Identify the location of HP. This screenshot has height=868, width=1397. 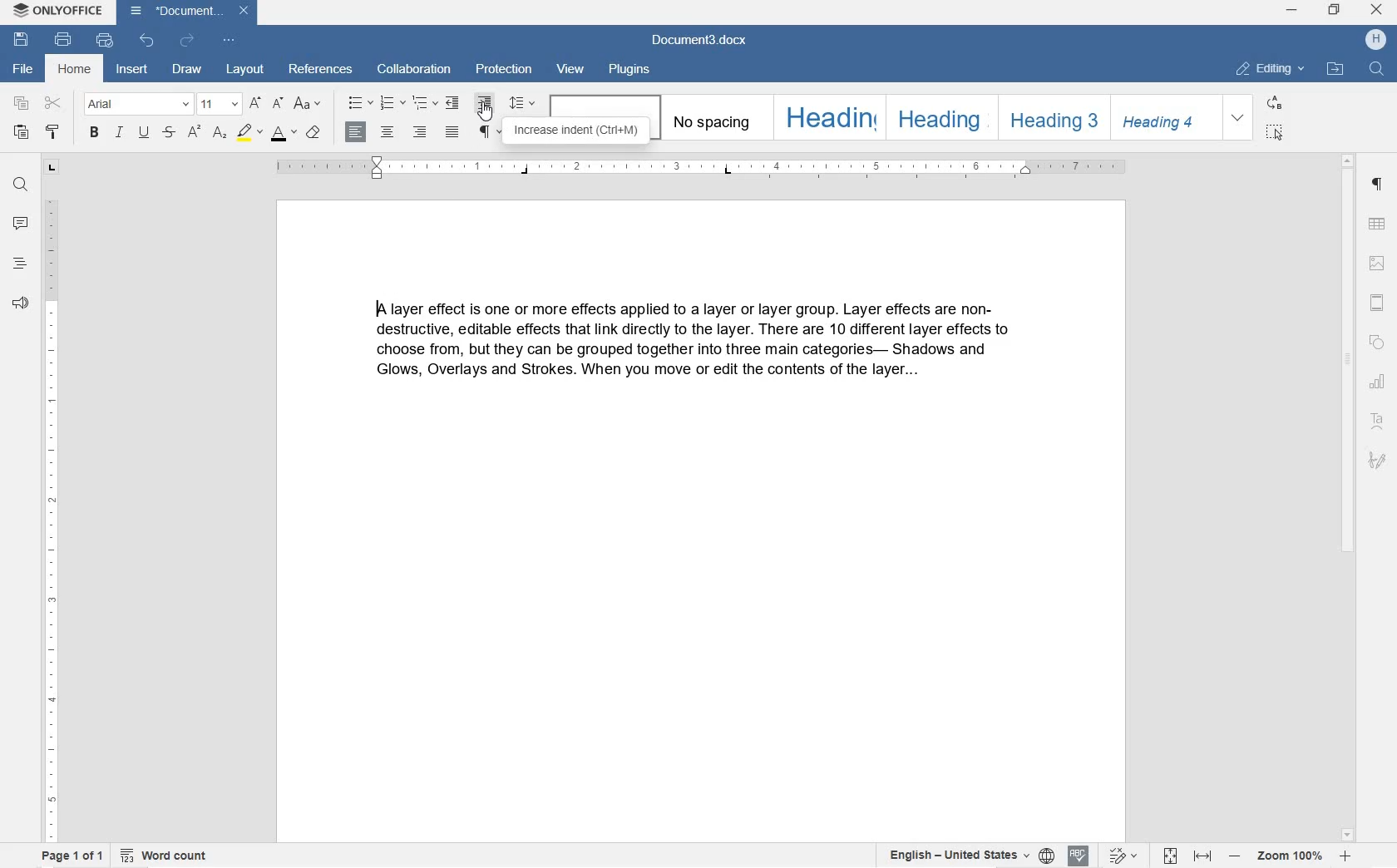
(1375, 40).